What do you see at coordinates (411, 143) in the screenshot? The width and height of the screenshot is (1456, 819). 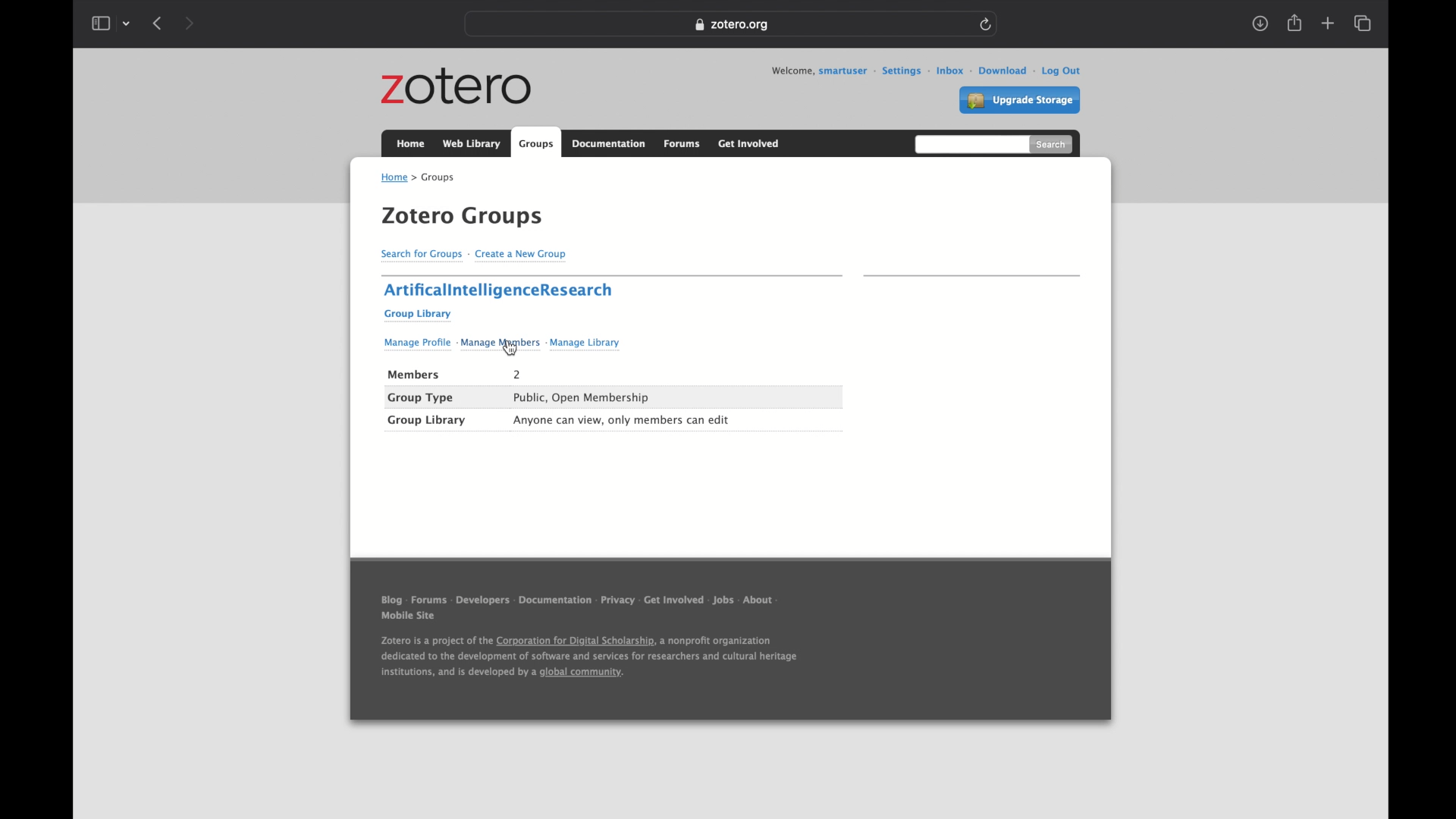 I see `home` at bounding box center [411, 143].